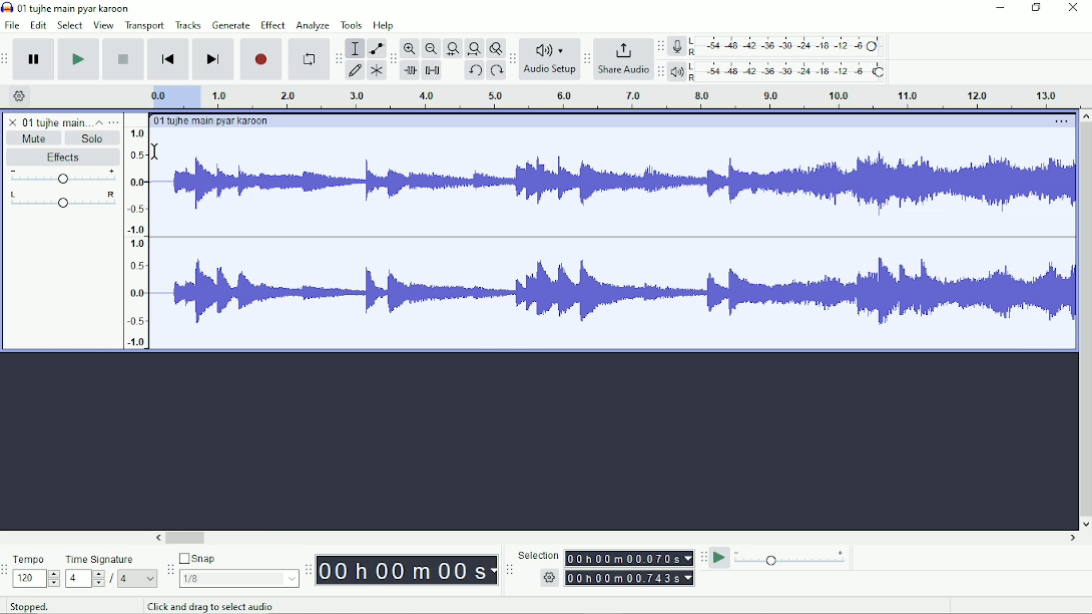 The image size is (1092, 614). What do you see at coordinates (36, 559) in the screenshot?
I see `Tempo` at bounding box center [36, 559].